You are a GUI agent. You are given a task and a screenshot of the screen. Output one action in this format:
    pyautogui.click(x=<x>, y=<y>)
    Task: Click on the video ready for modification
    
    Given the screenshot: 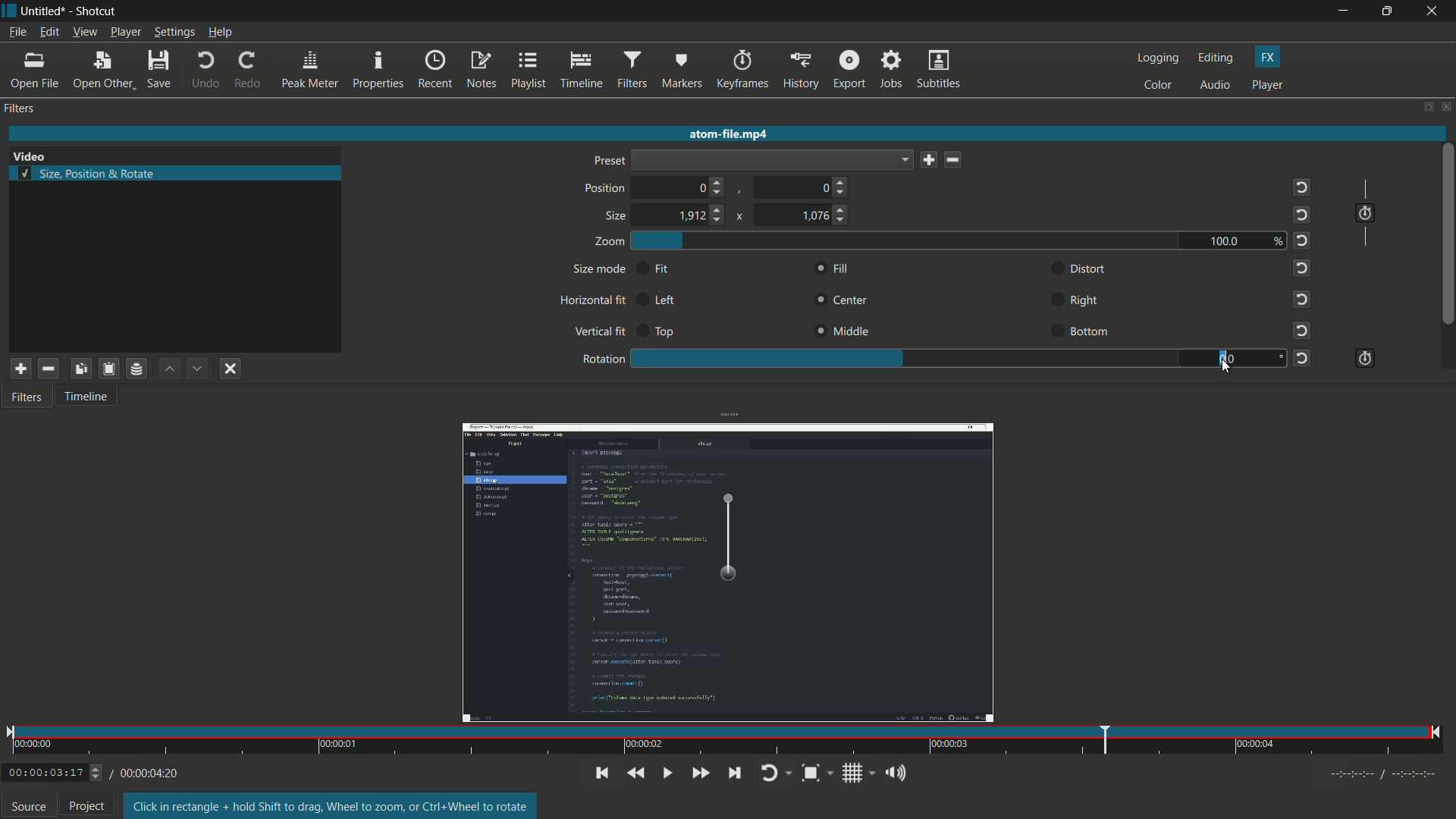 What is the action you would take?
    pyautogui.click(x=727, y=572)
    